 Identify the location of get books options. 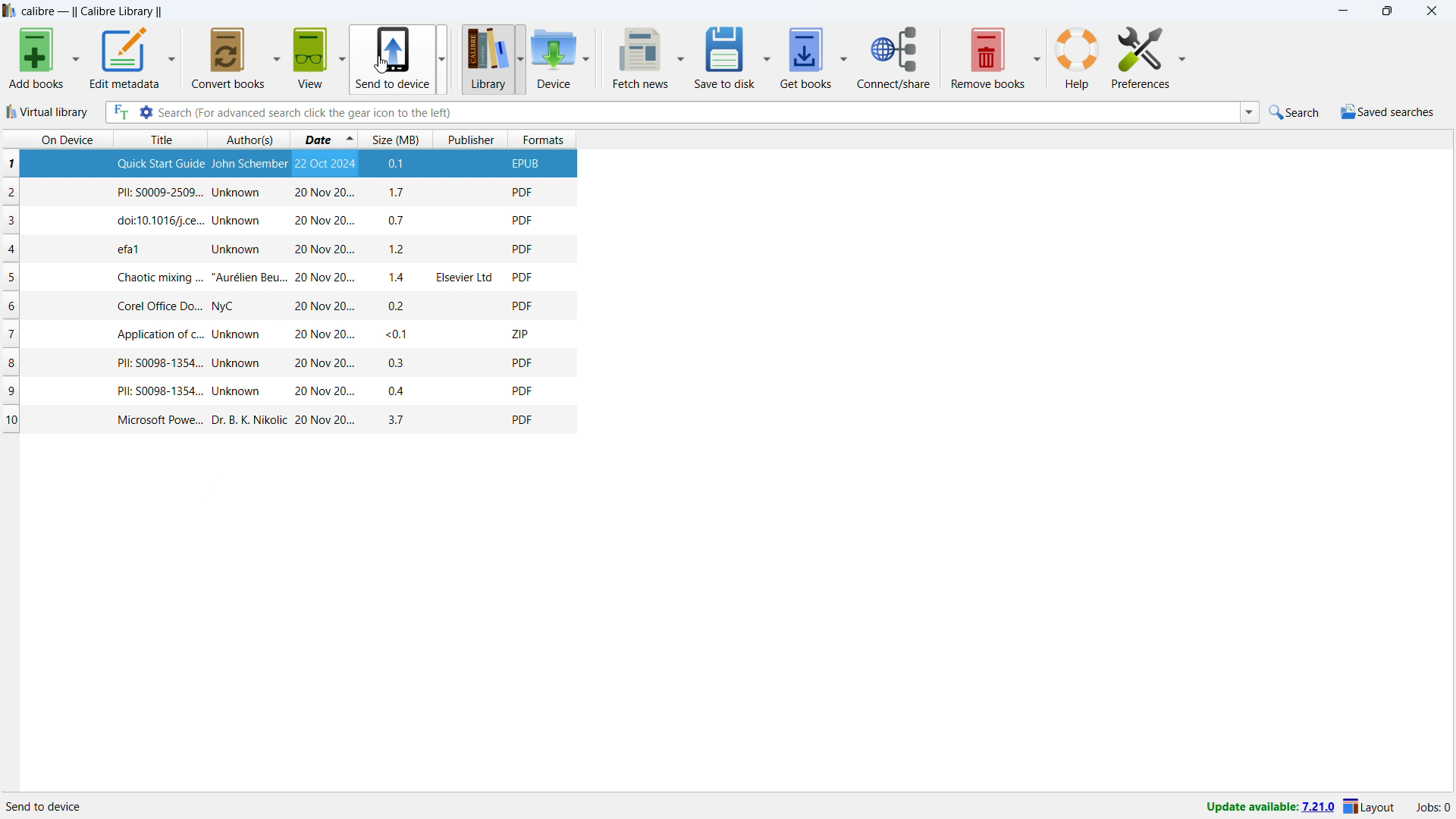
(843, 58).